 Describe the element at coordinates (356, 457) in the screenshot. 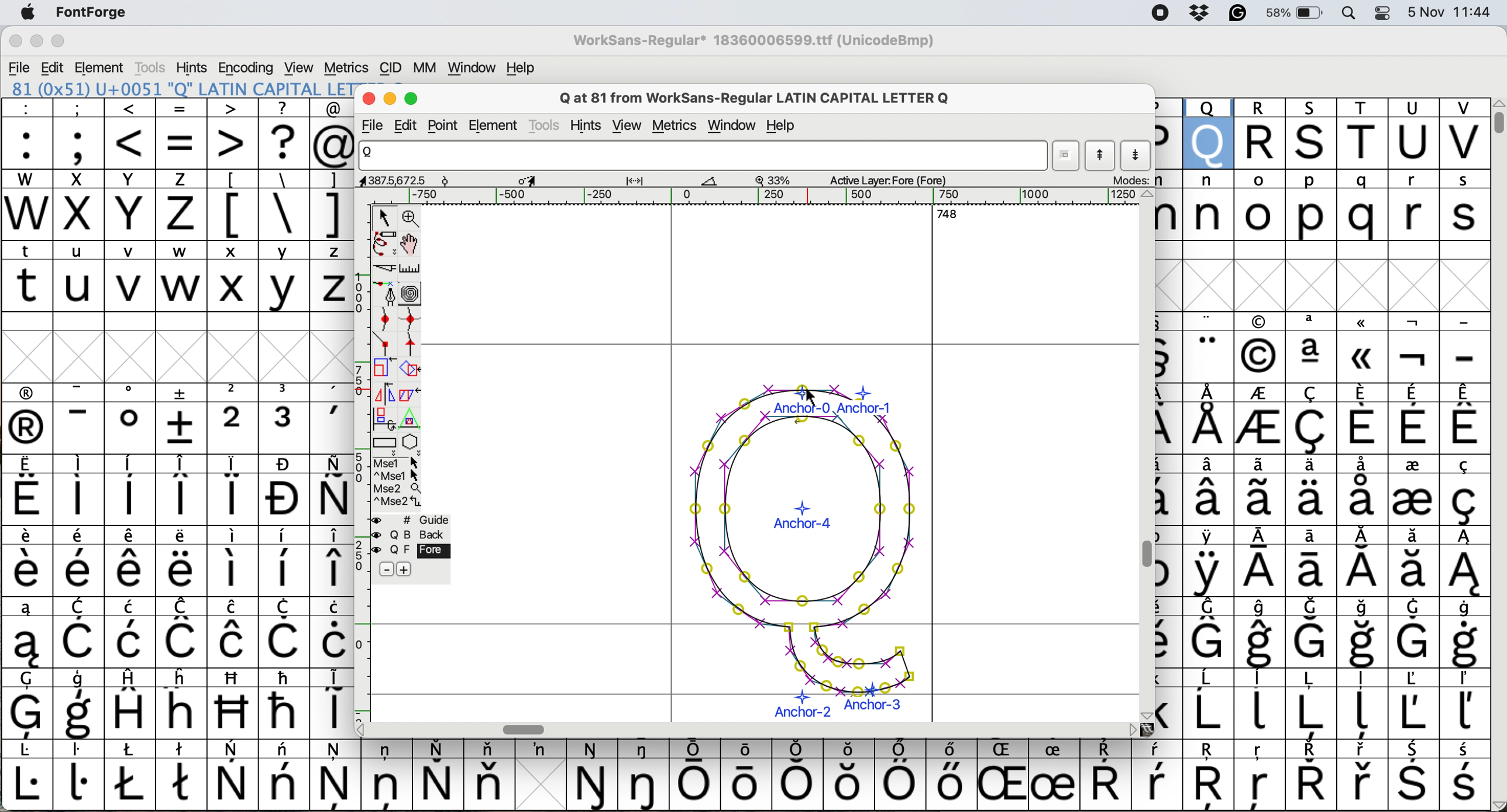

I see `vertical scale` at that location.